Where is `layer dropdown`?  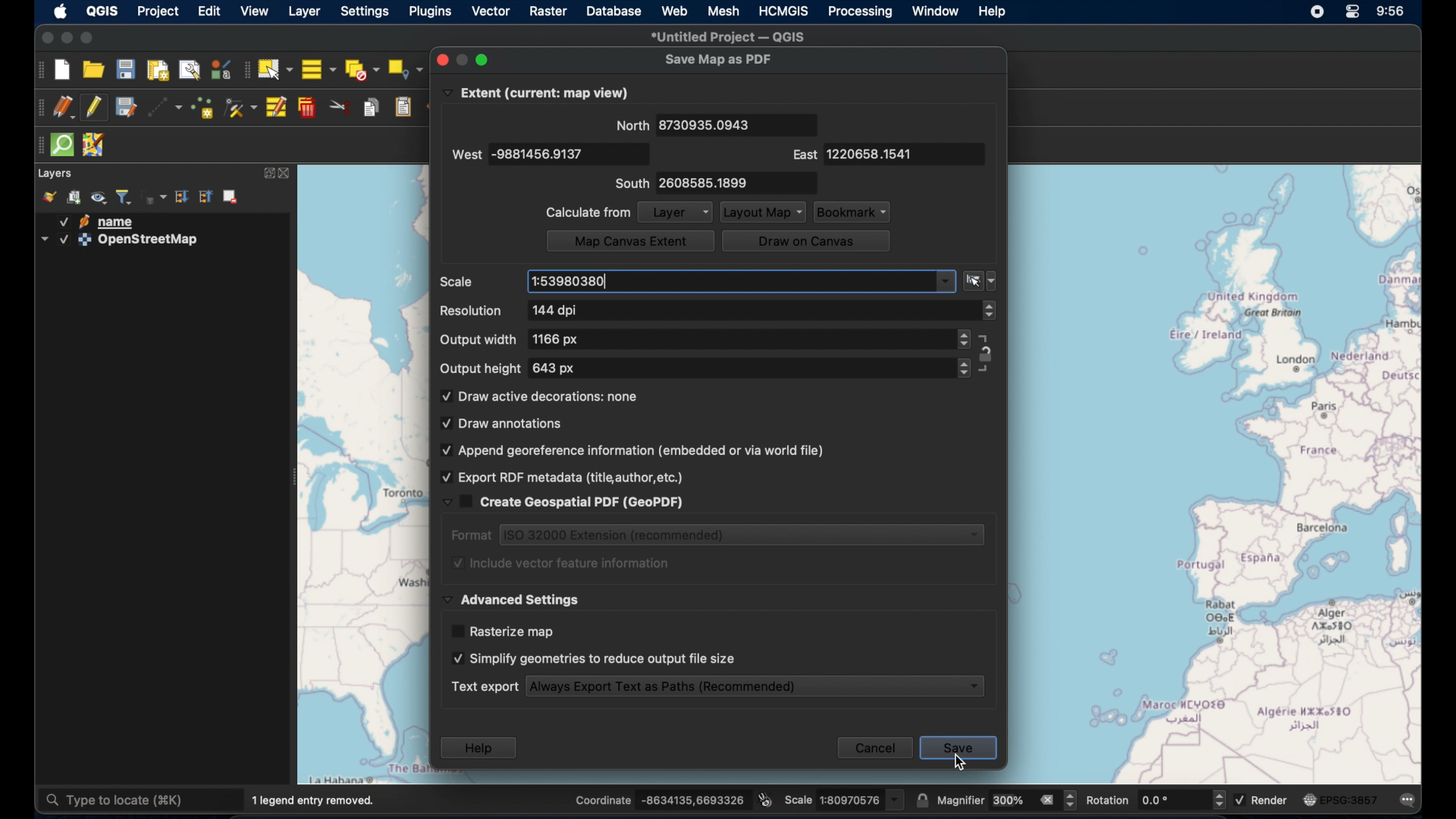
layer dropdown is located at coordinates (676, 212).